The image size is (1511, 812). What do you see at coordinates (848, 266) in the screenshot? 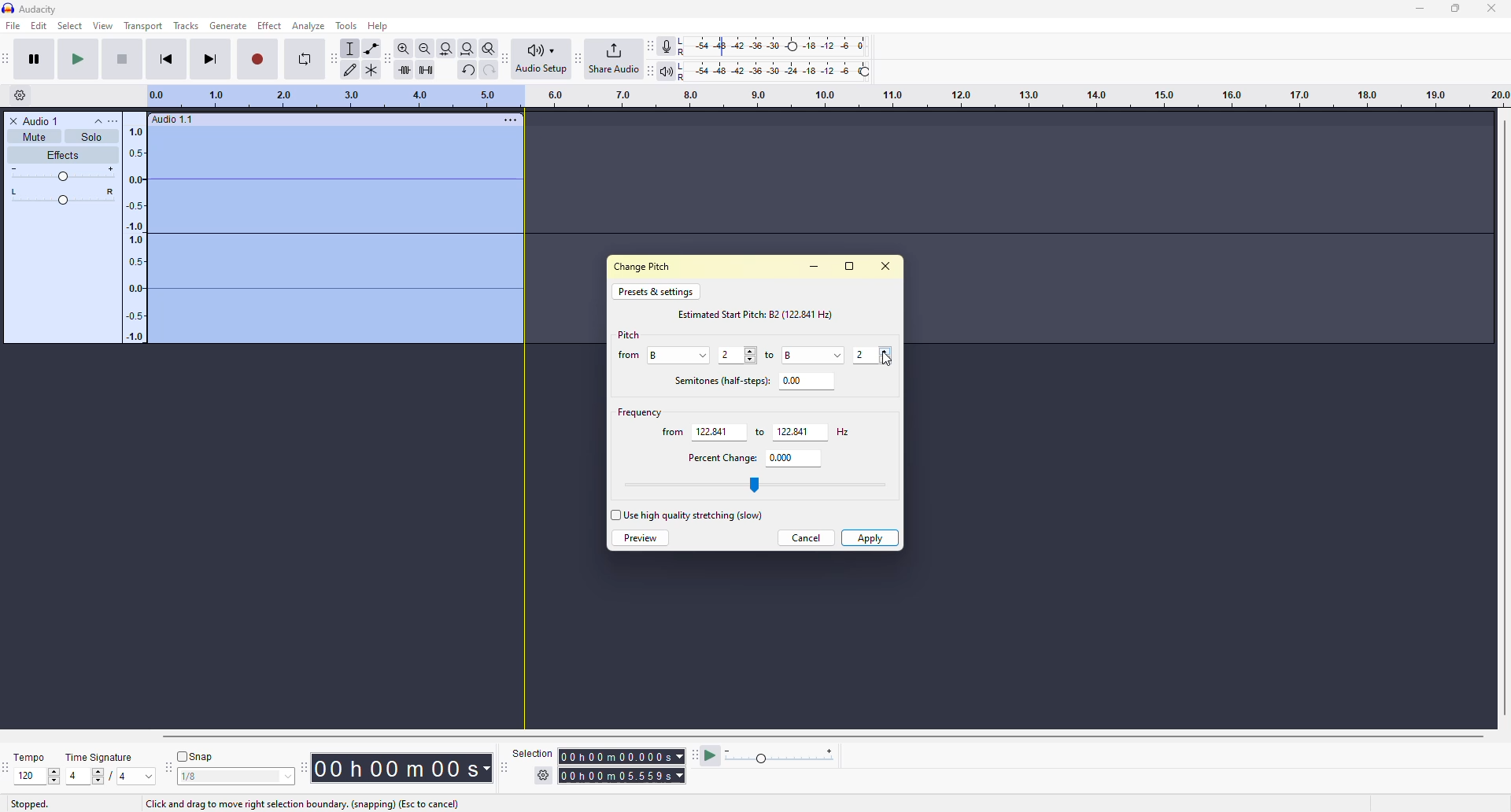
I see `maximize` at bounding box center [848, 266].